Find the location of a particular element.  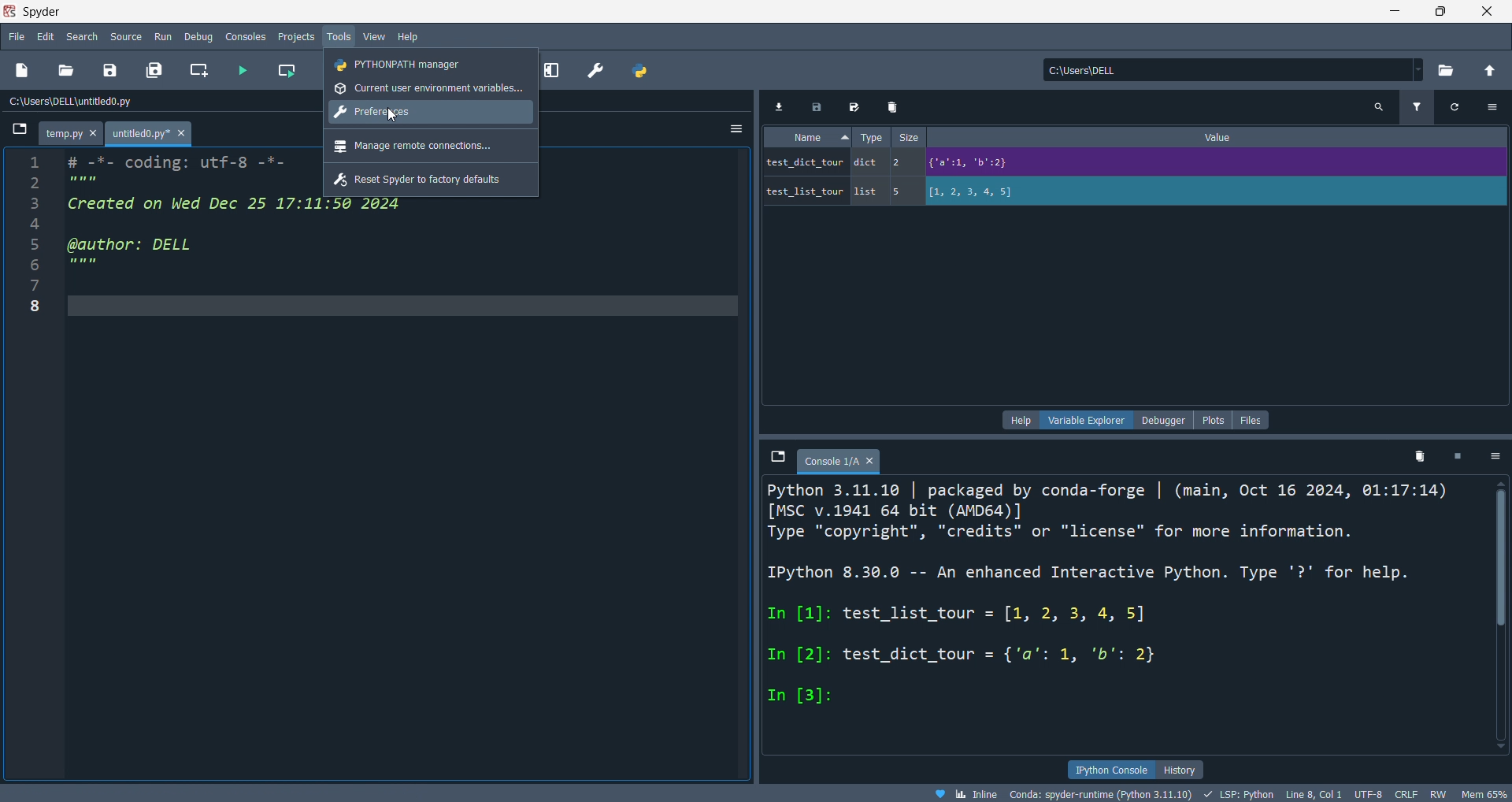

save is located at coordinates (113, 70).